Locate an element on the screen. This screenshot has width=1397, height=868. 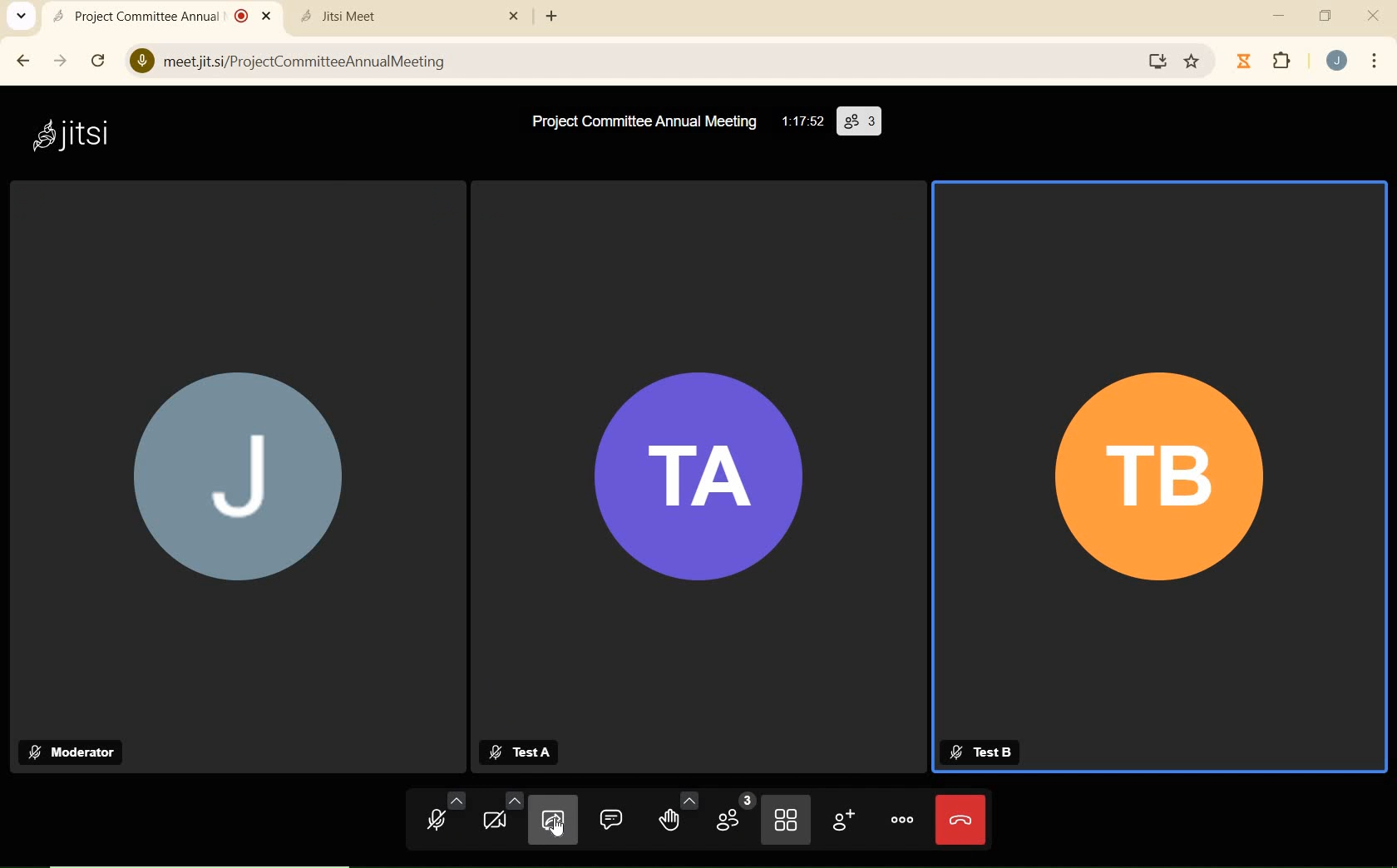
share screen is located at coordinates (550, 822).